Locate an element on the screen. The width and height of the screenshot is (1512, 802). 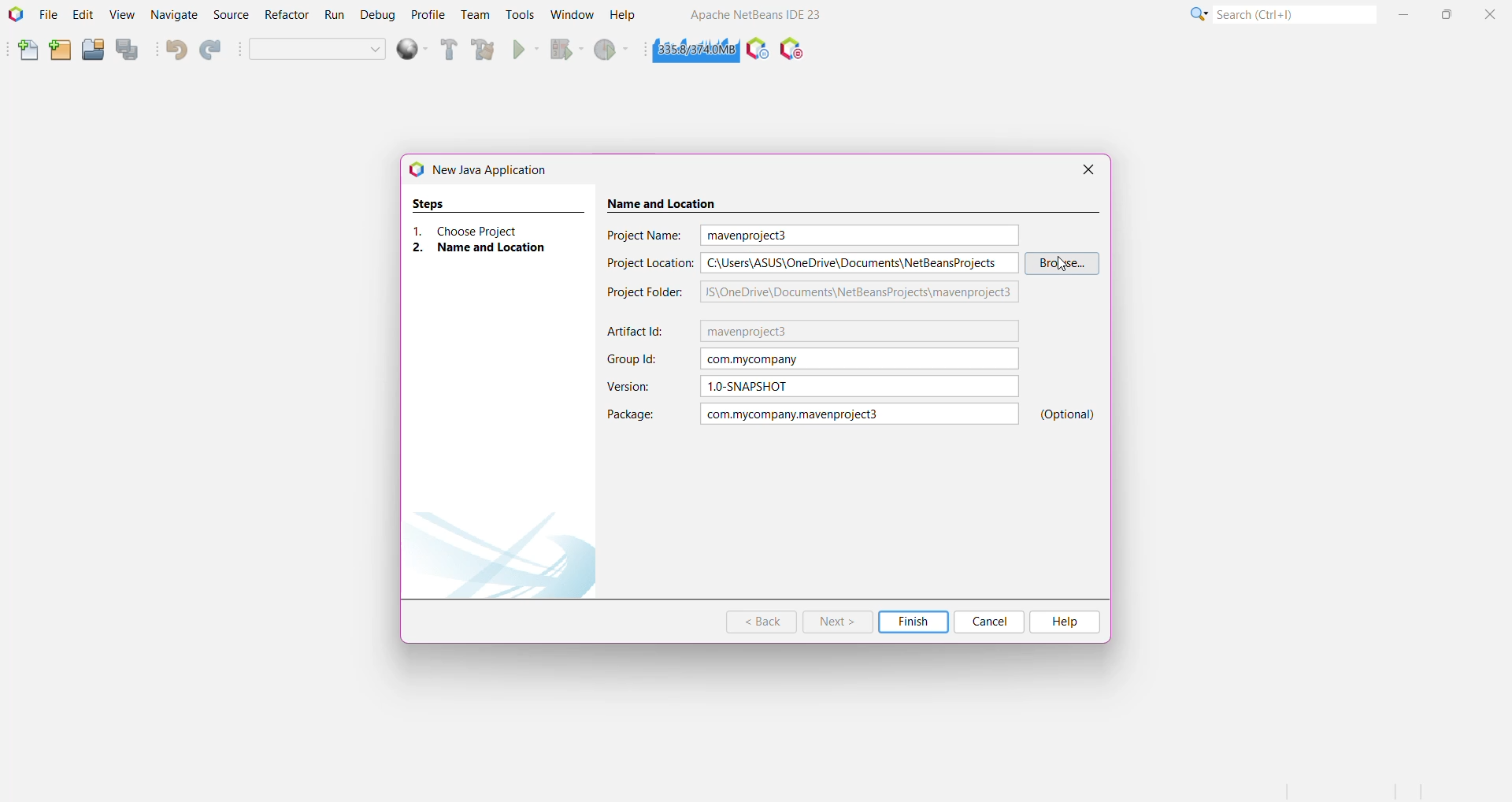
Open Project is located at coordinates (92, 51).